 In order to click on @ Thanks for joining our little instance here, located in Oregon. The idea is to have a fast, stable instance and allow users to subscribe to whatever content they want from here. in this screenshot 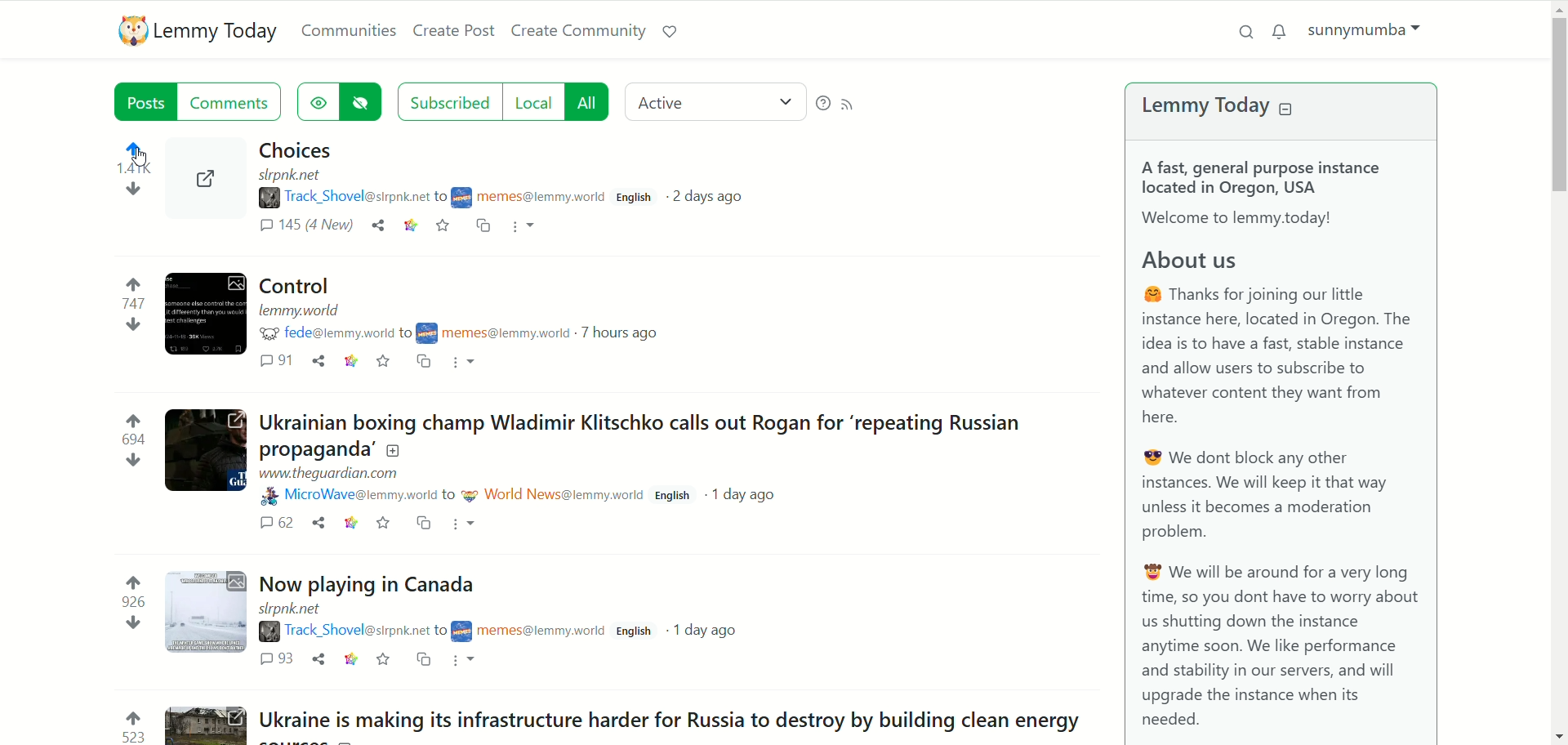, I will do `click(1280, 356)`.